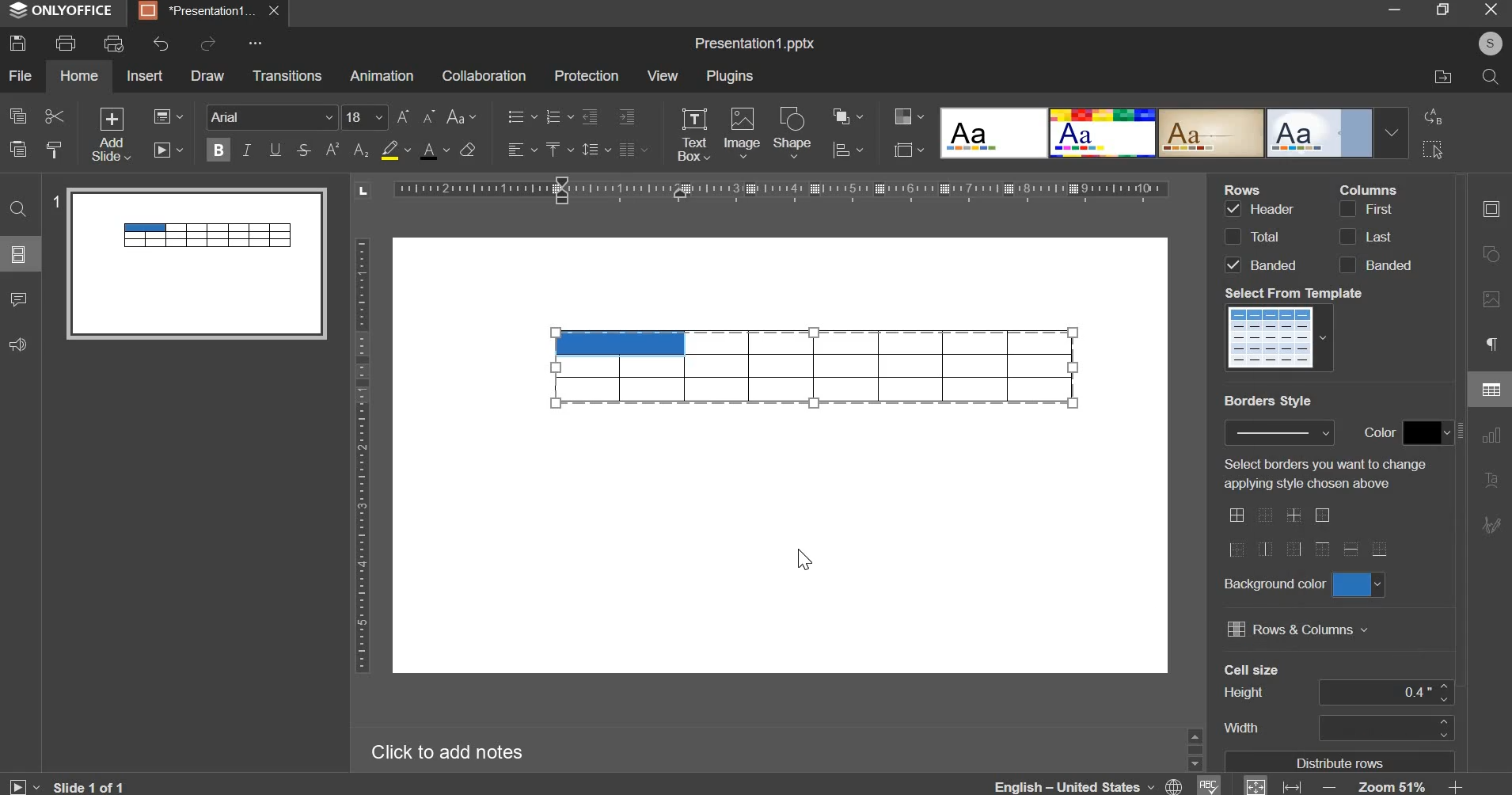  Describe the element at coordinates (347, 149) in the screenshot. I see `subscript & superscript` at that location.